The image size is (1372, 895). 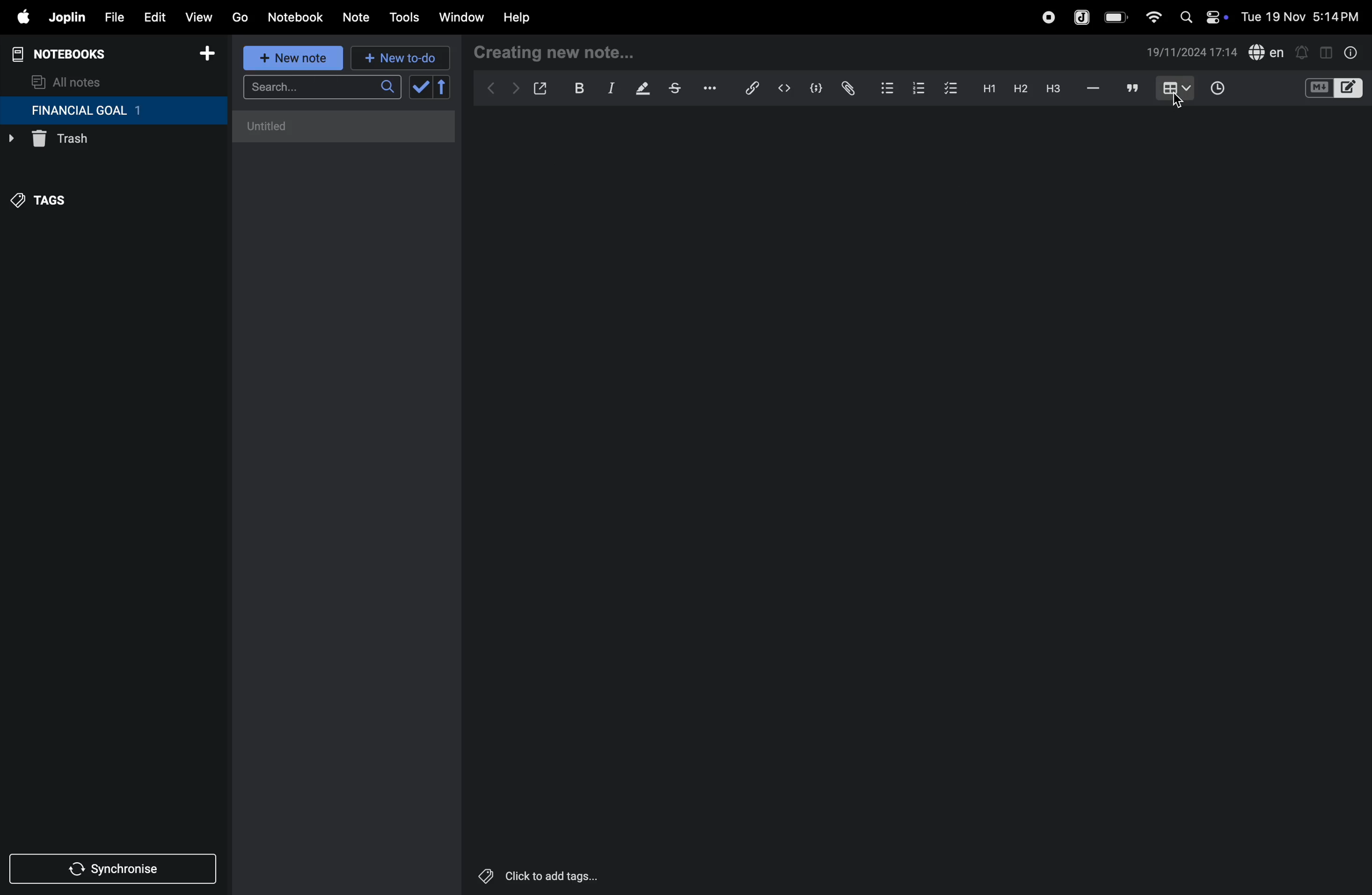 What do you see at coordinates (525, 18) in the screenshot?
I see `help` at bounding box center [525, 18].